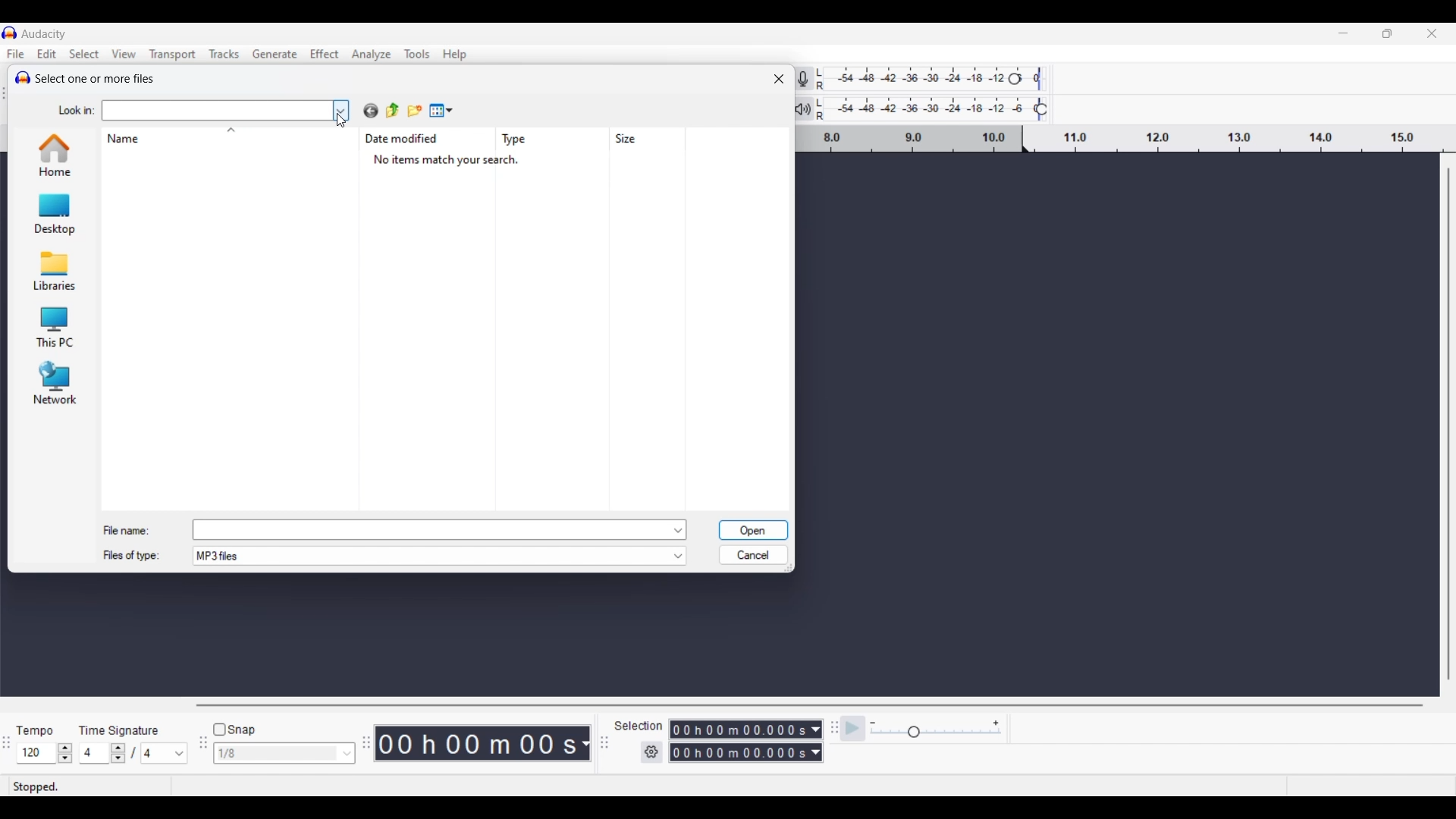 This screenshot has width=1456, height=819. What do you see at coordinates (639, 726) in the screenshot?
I see `Selection` at bounding box center [639, 726].